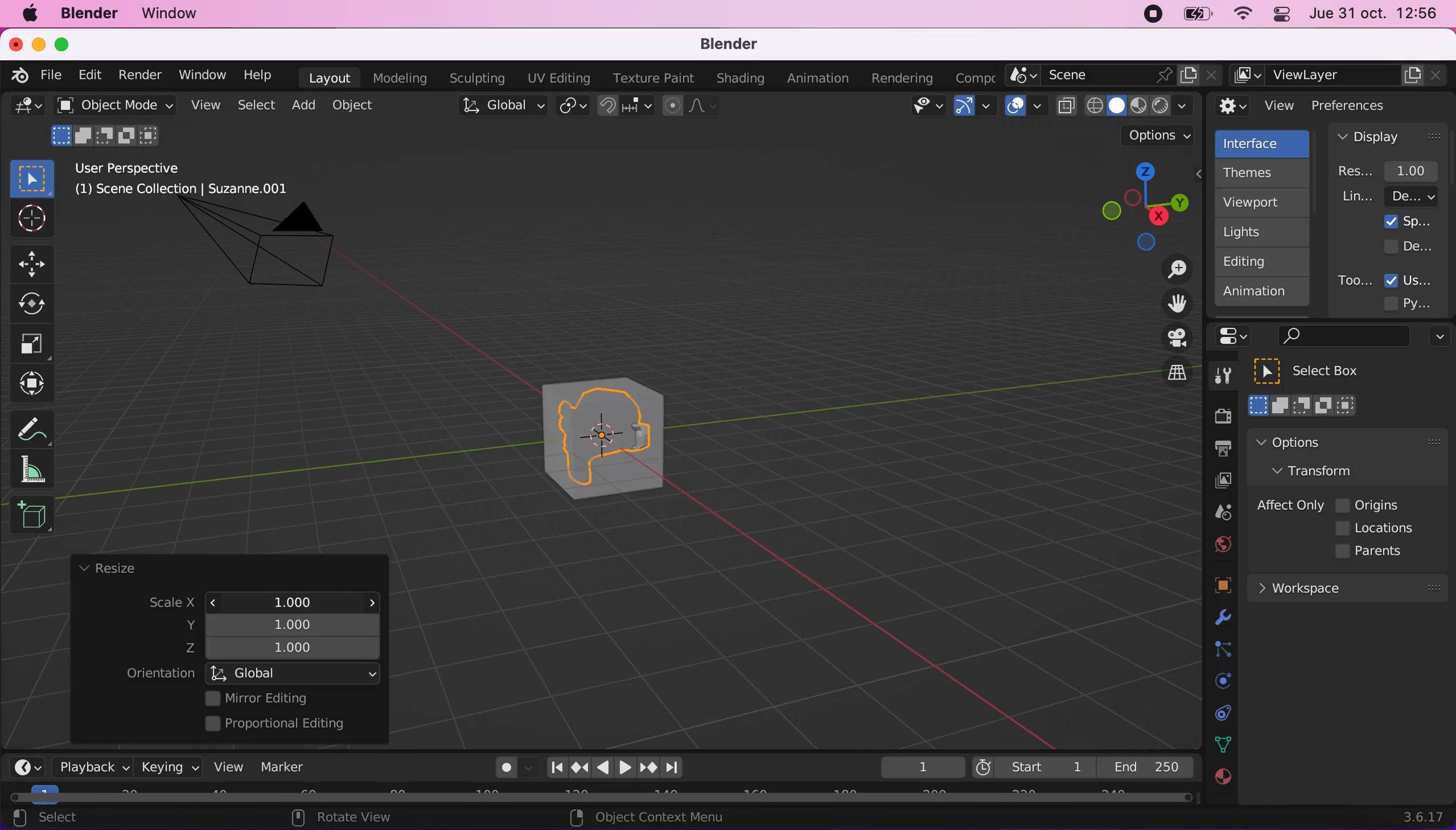 The height and width of the screenshot is (830, 1456). Describe the element at coordinates (1418, 279) in the screenshot. I see `user tooltips` at that location.